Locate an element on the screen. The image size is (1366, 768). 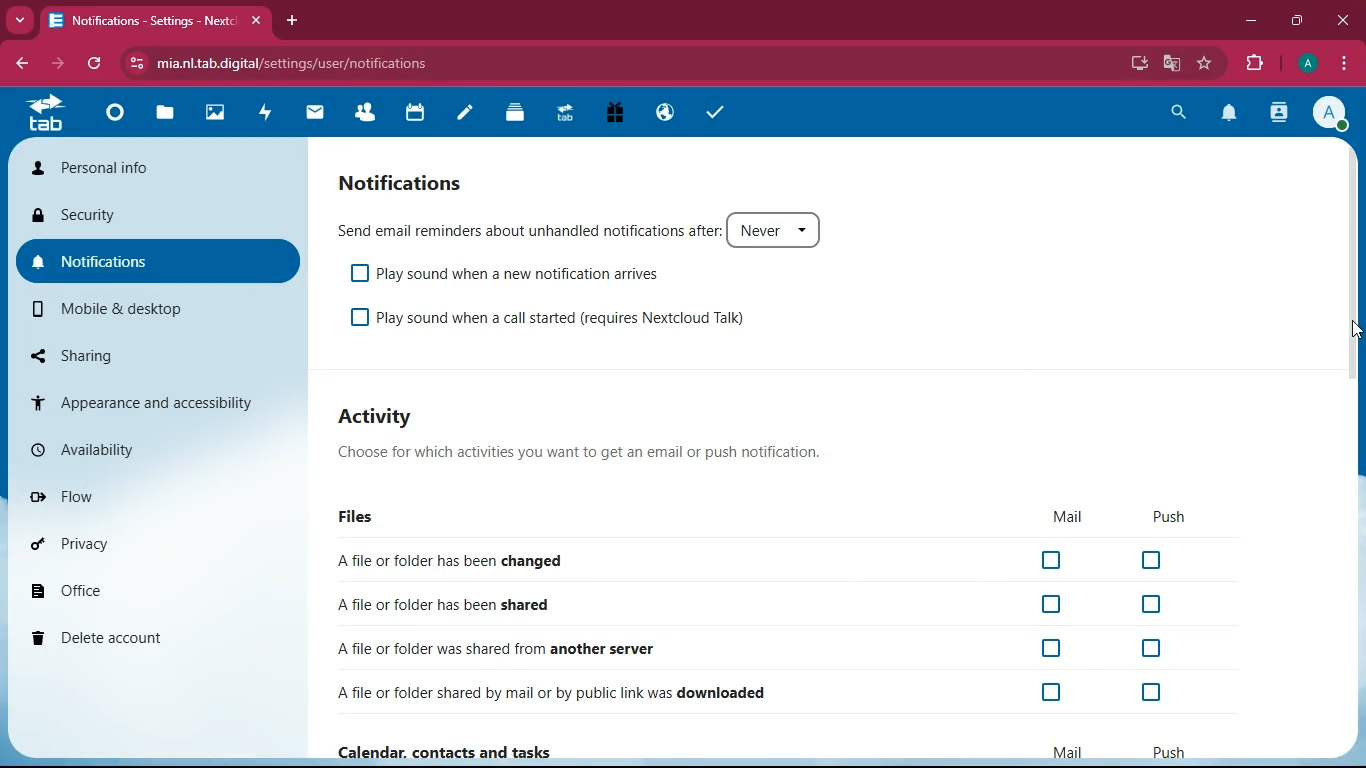
tasks is located at coordinates (712, 112).